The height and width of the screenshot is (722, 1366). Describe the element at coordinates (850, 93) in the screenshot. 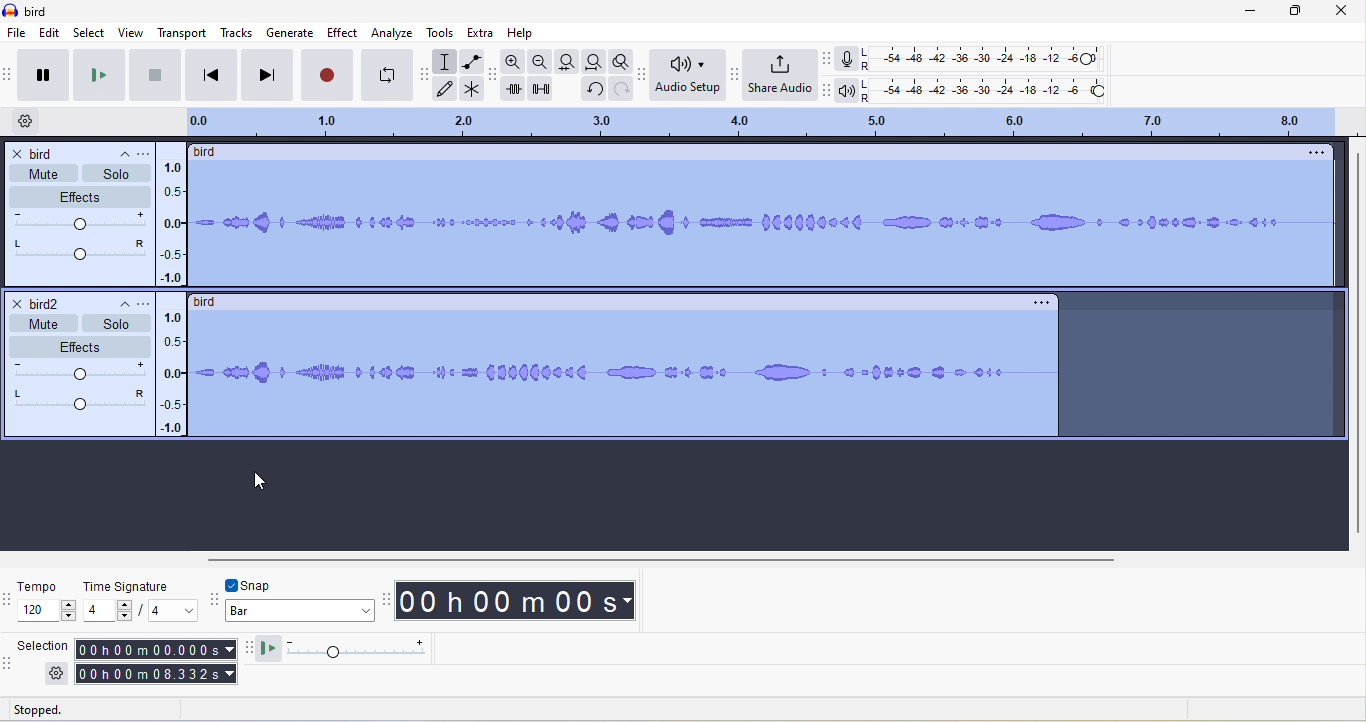

I see `playback meter` at that location.